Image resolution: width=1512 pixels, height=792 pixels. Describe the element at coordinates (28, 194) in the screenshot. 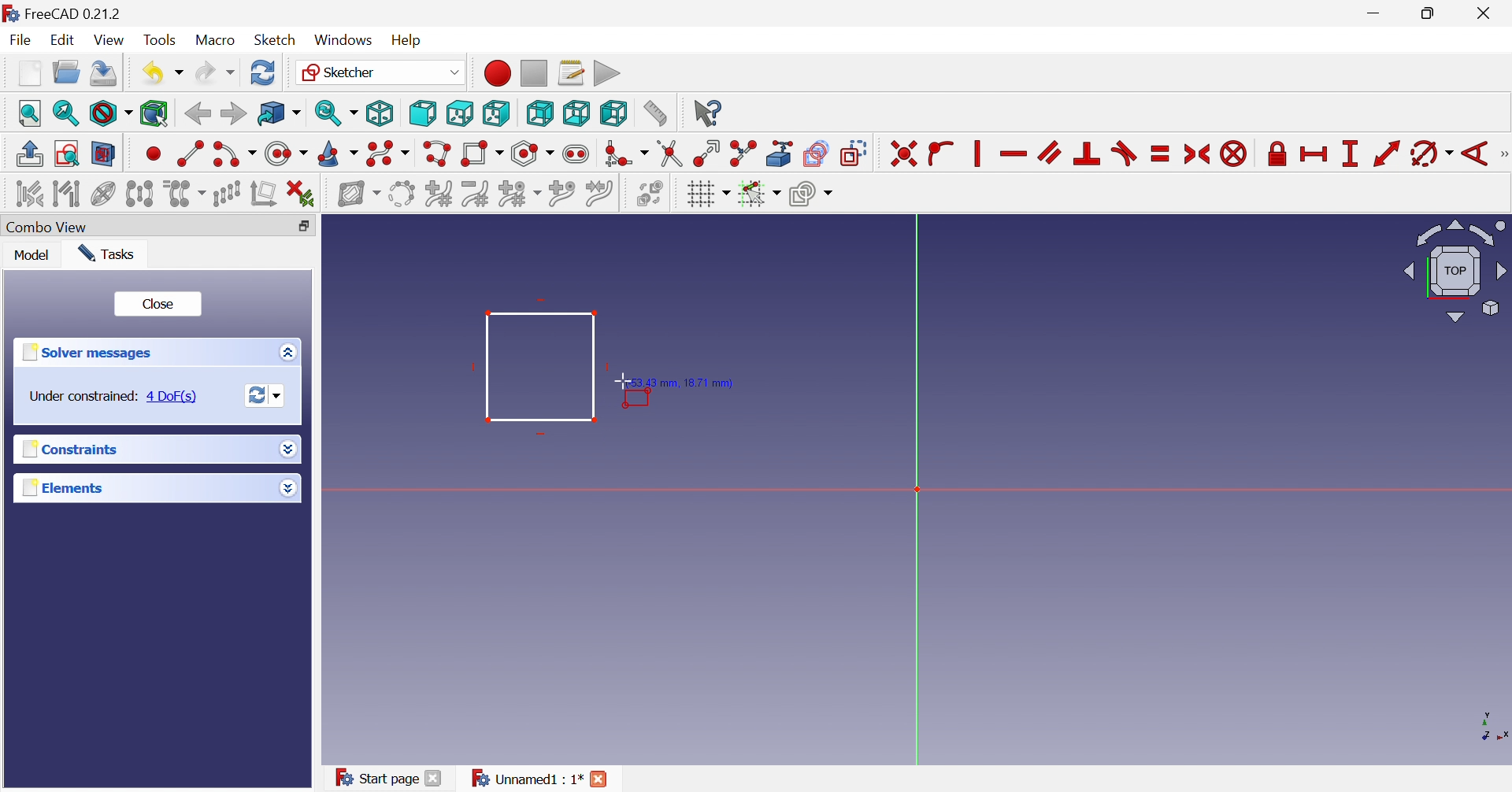

I see `Select associated constraints` at that location.